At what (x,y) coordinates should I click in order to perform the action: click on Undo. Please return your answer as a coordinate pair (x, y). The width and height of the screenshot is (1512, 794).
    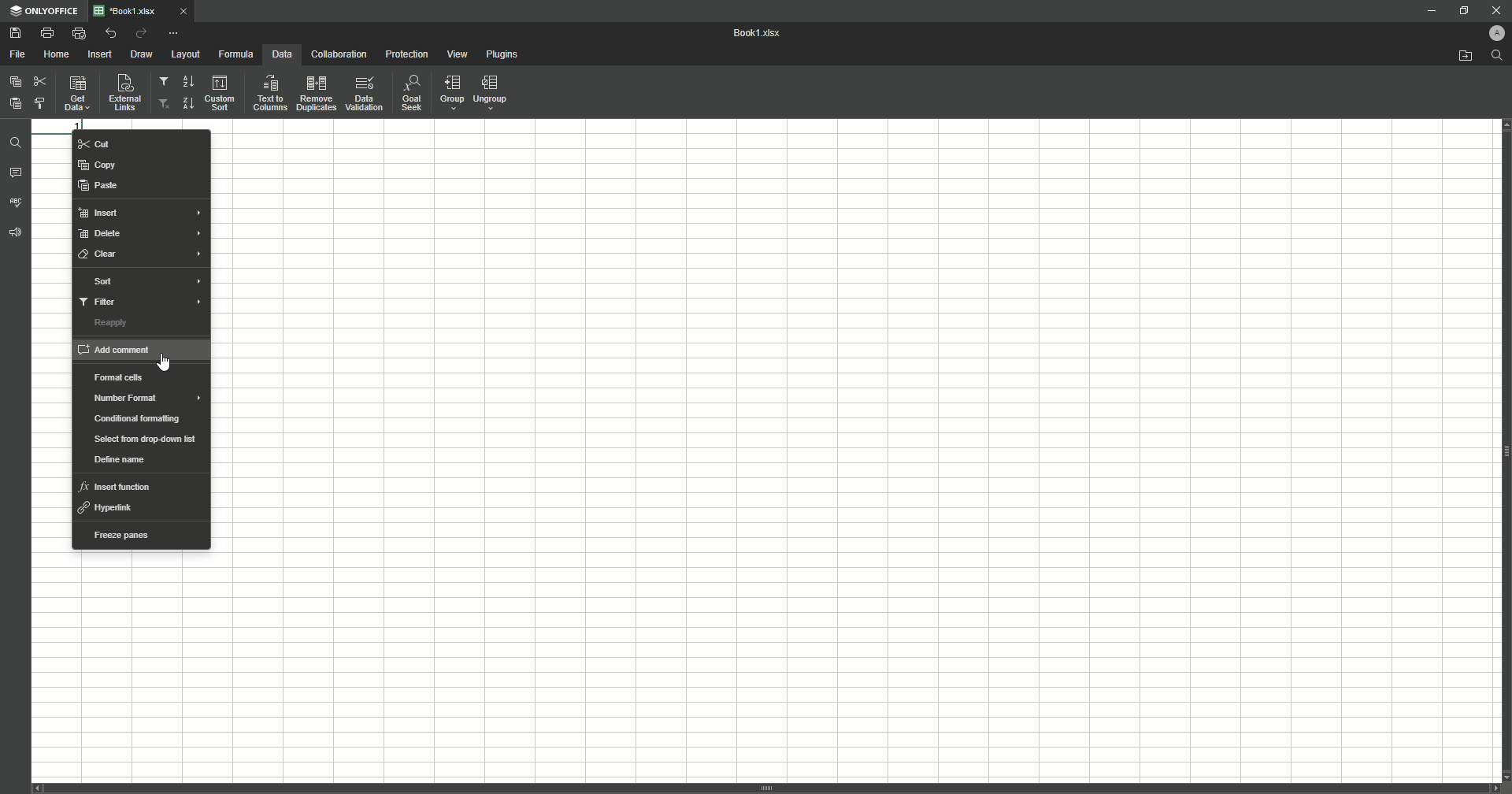
    Looking at the image, I should click on (109, 33).